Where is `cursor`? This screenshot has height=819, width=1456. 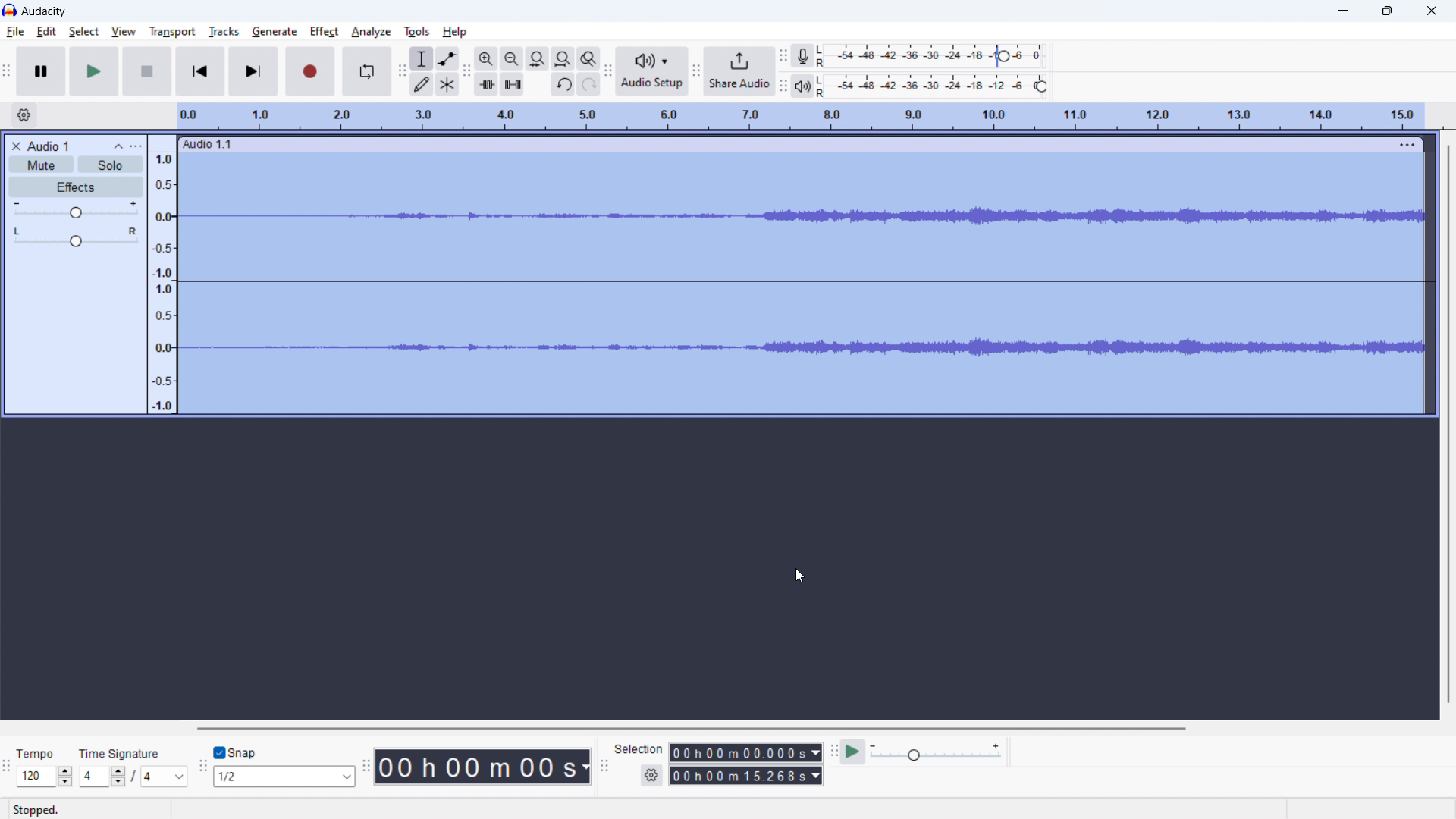
cursor is located at coordinates (799, 577).